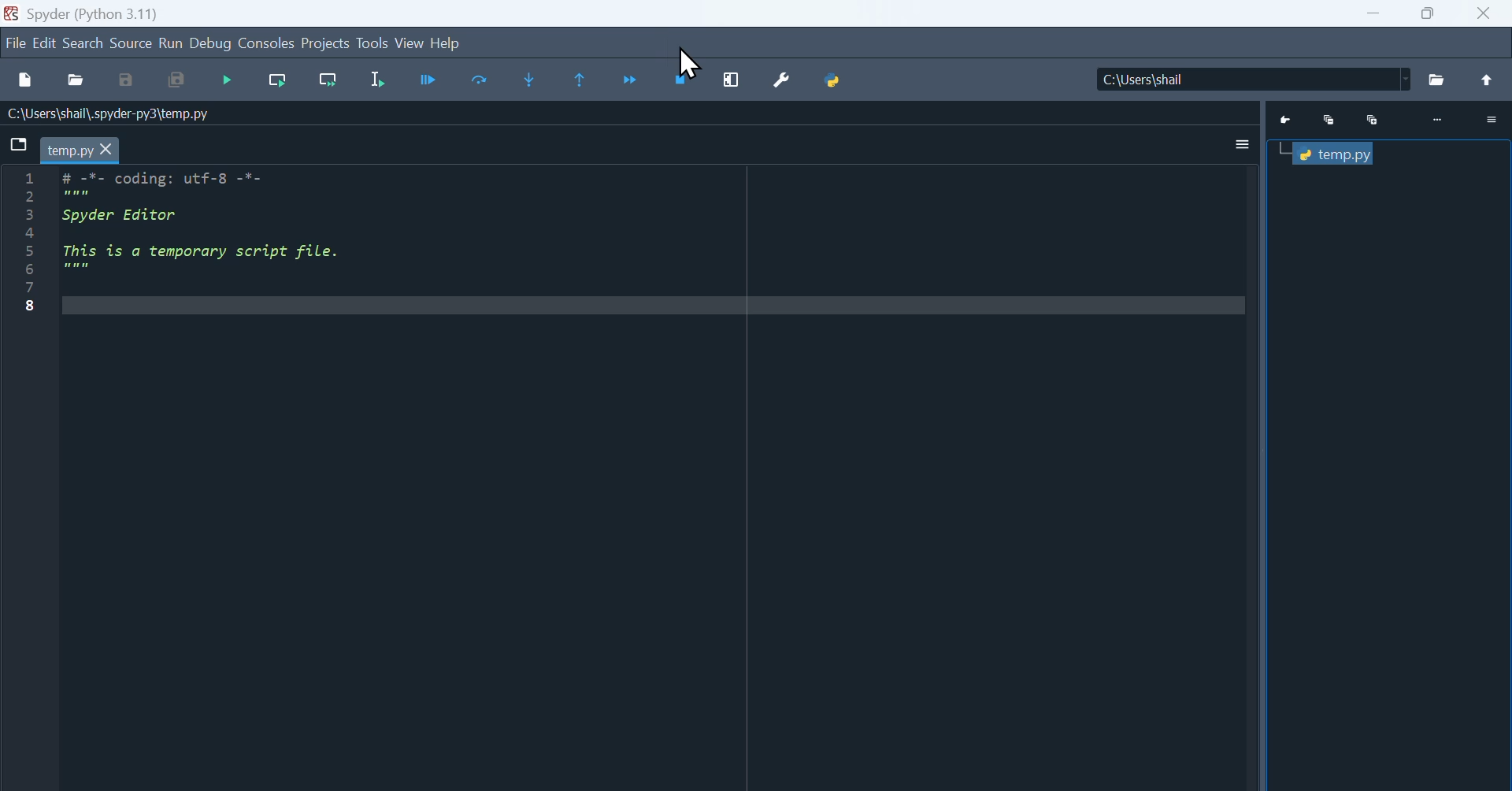  I want to click on Go to, so click(1289, 121).